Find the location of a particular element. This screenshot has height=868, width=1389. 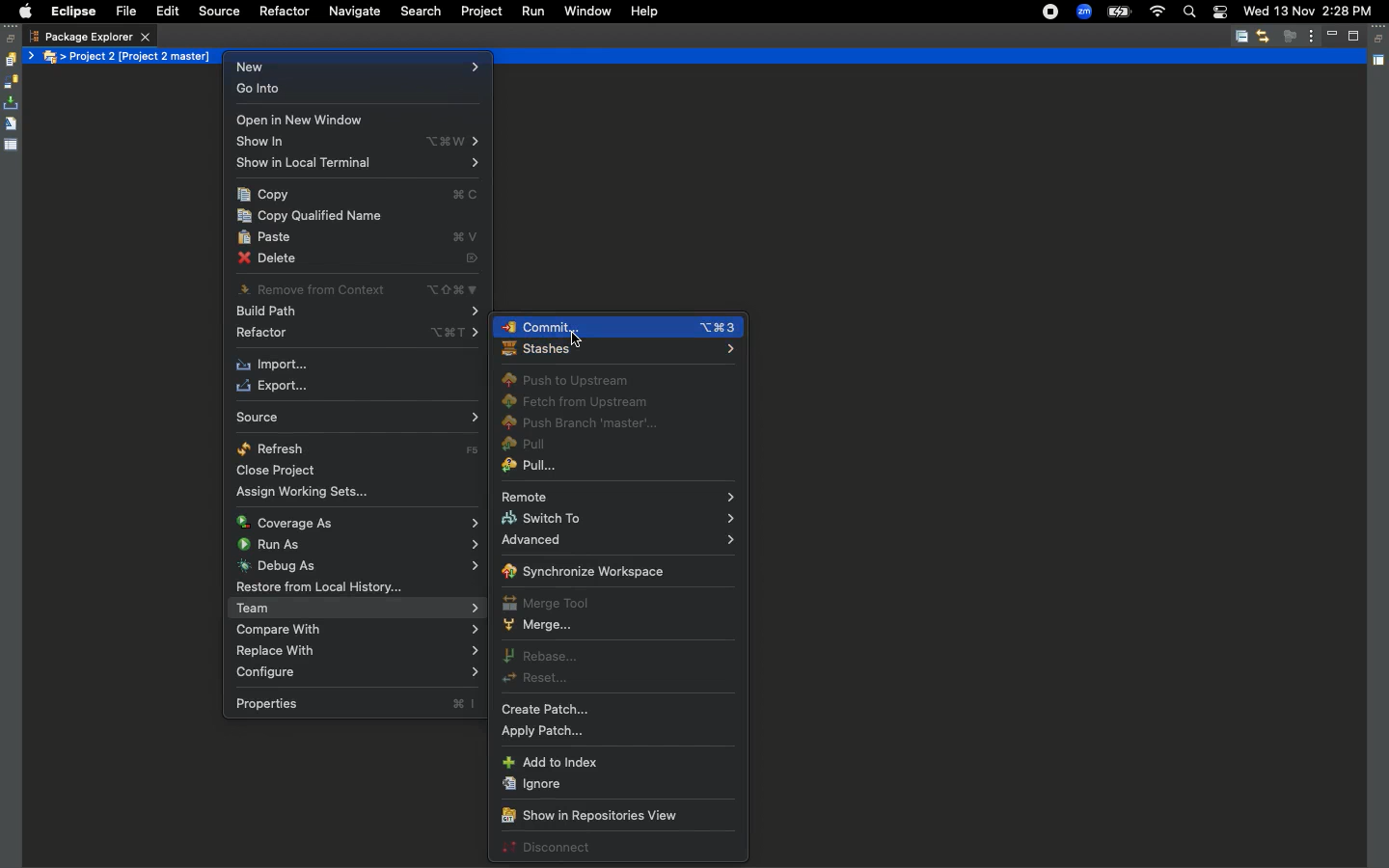

Import is located at coordinates (276, 366).